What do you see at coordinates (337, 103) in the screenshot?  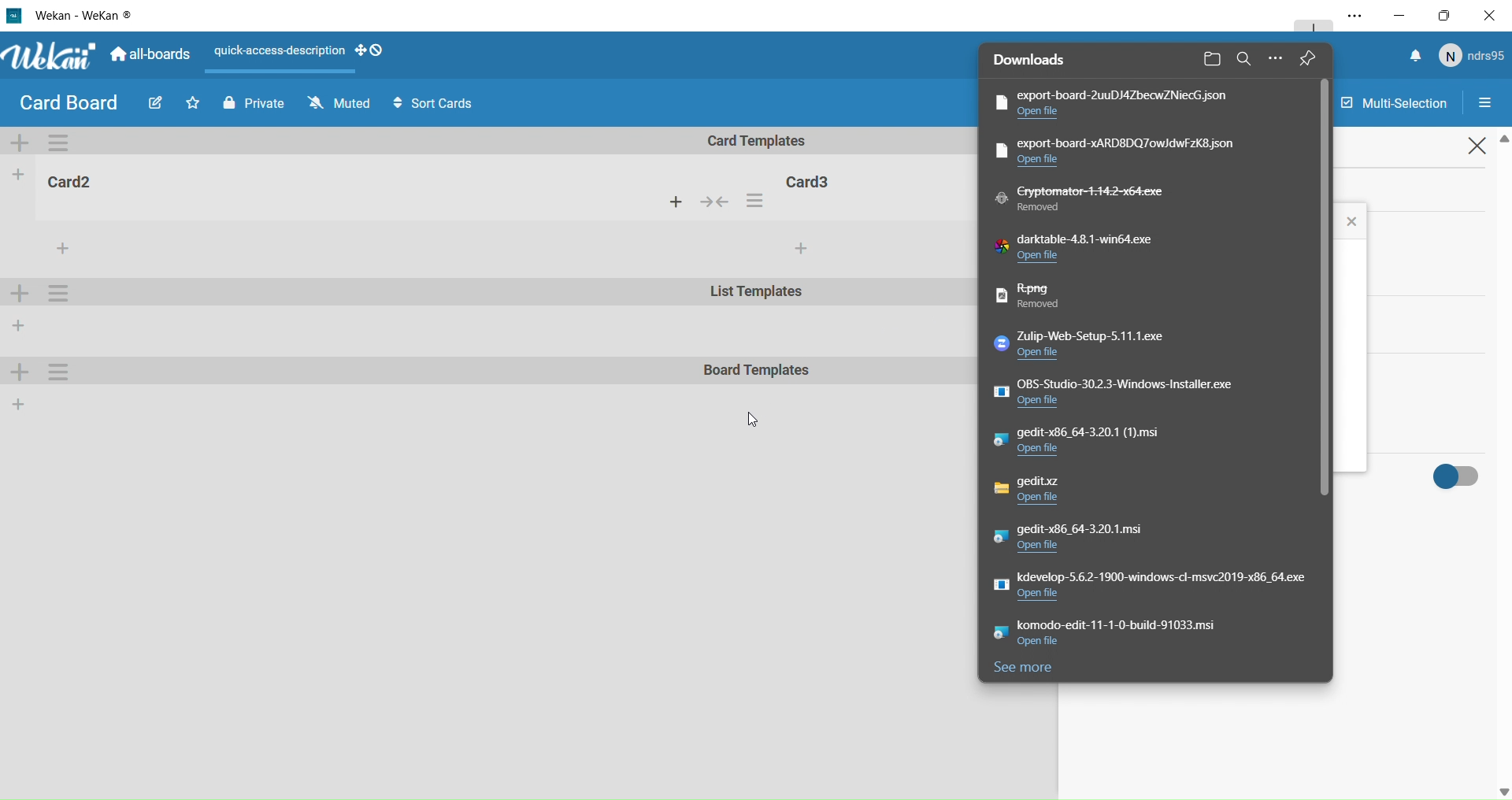 I see `Muted` at bounding box center [337, 103].